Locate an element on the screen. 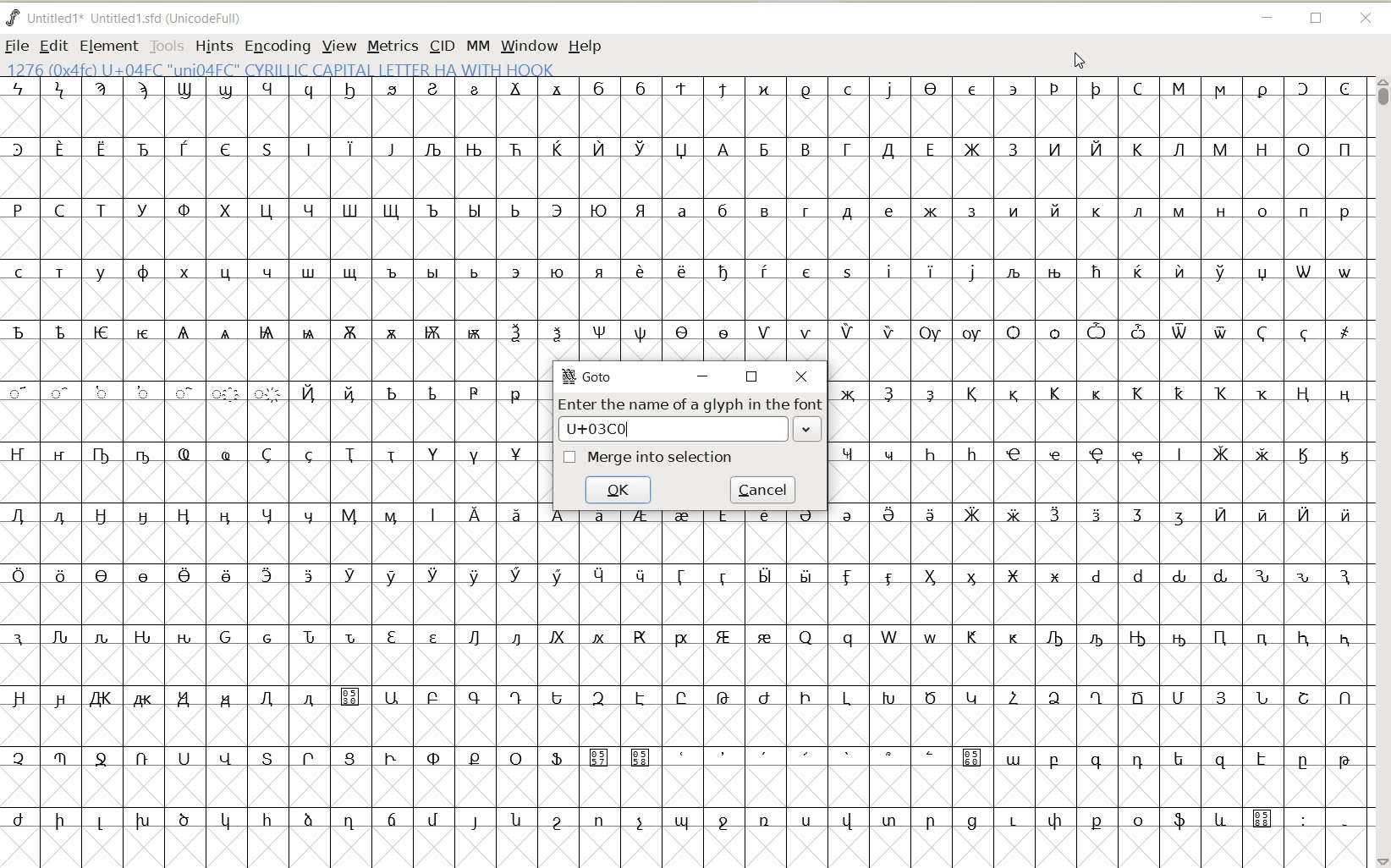 The height and width of the screenshot is (868, 1391). MM is located at coordinates (477, 45).